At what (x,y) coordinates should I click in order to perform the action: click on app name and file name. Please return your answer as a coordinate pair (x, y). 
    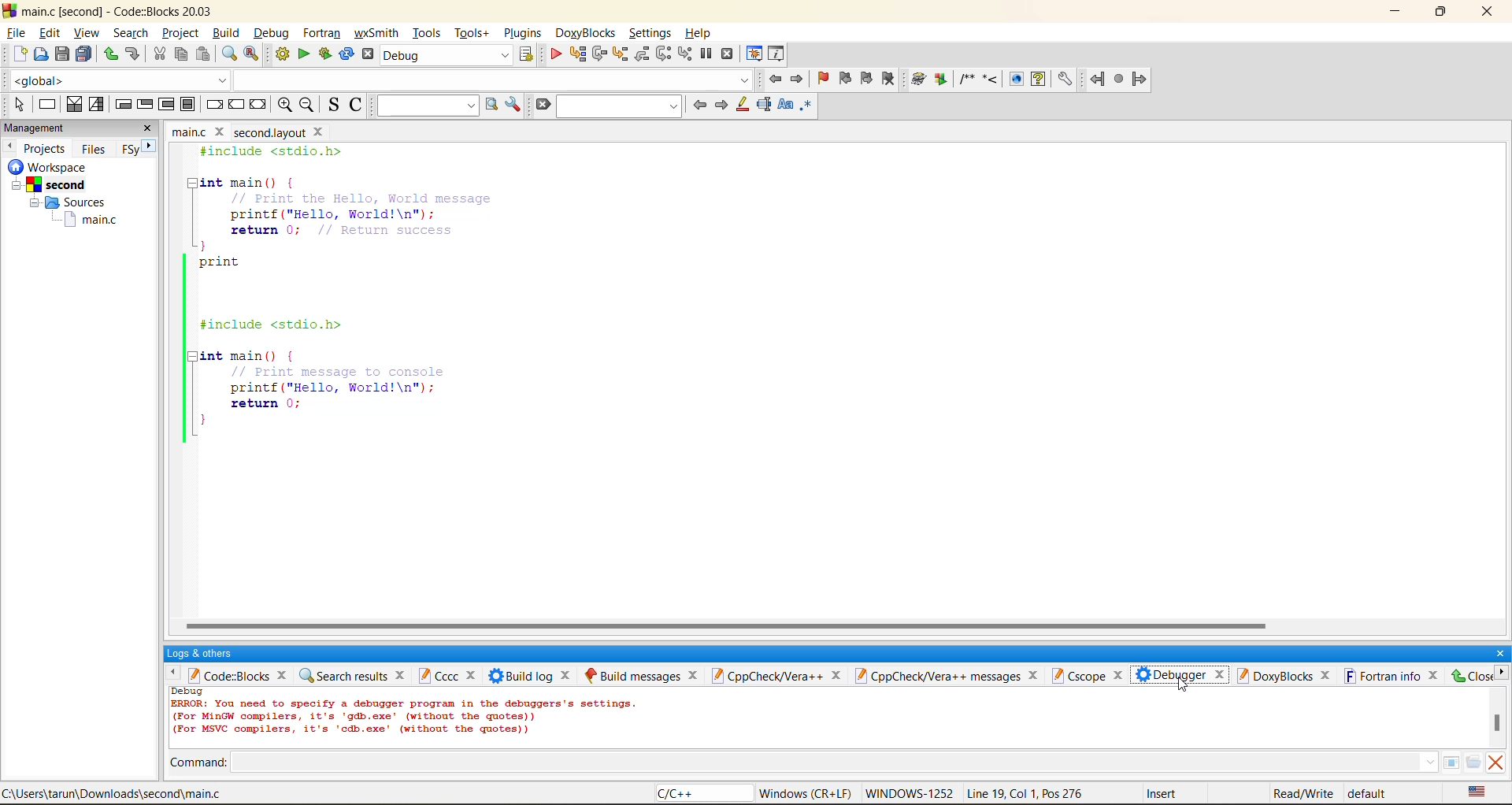
    Looking at the image, I should click on (119, 9).